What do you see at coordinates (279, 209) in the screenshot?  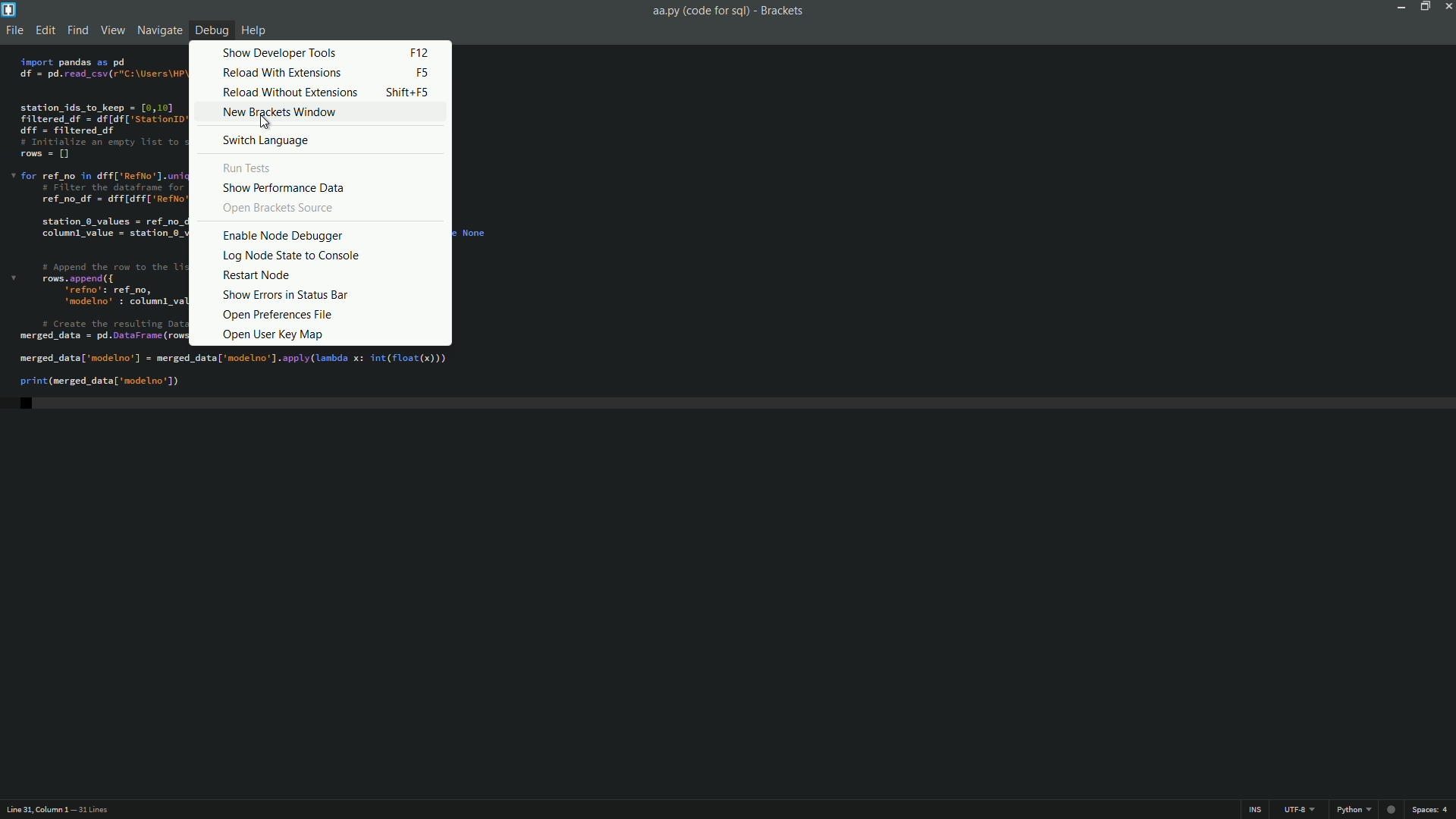 I see `Open brackets source` at bounding box center [279, 209].